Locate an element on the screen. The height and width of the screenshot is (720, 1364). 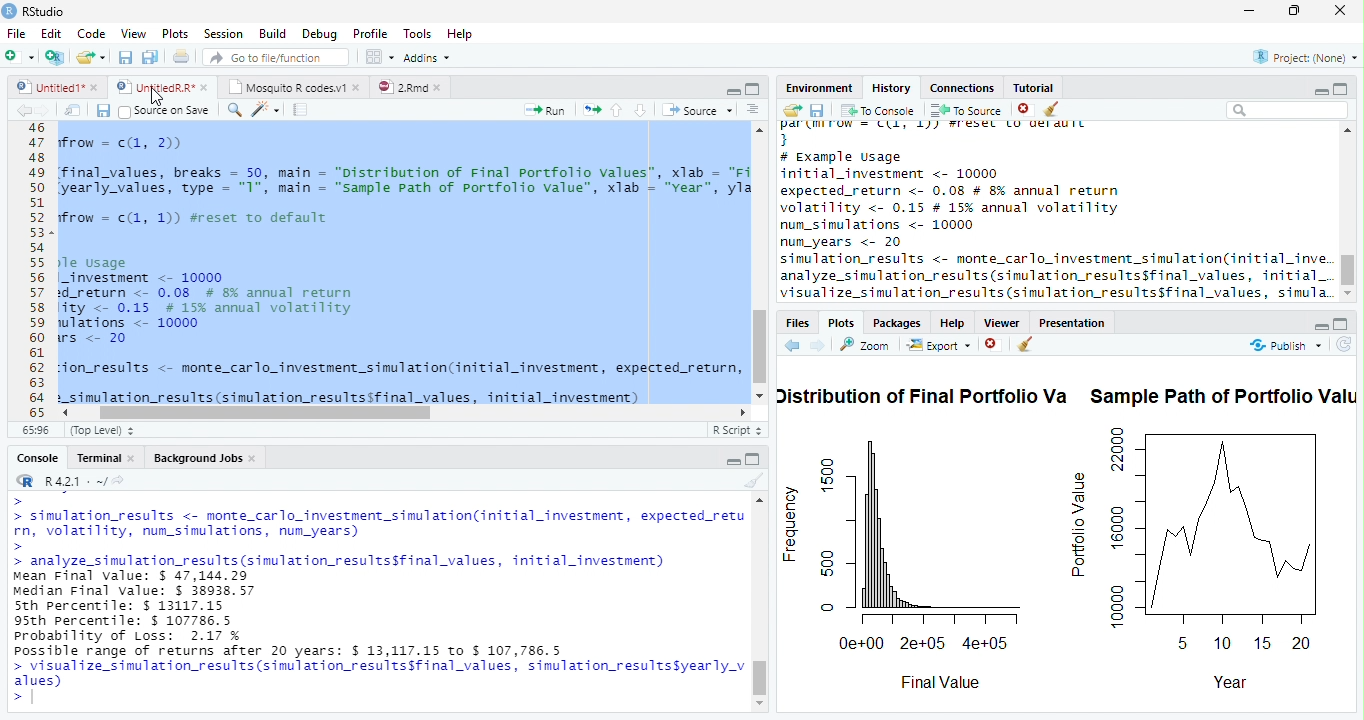
Open in new window is located at coordinates (73, 110).